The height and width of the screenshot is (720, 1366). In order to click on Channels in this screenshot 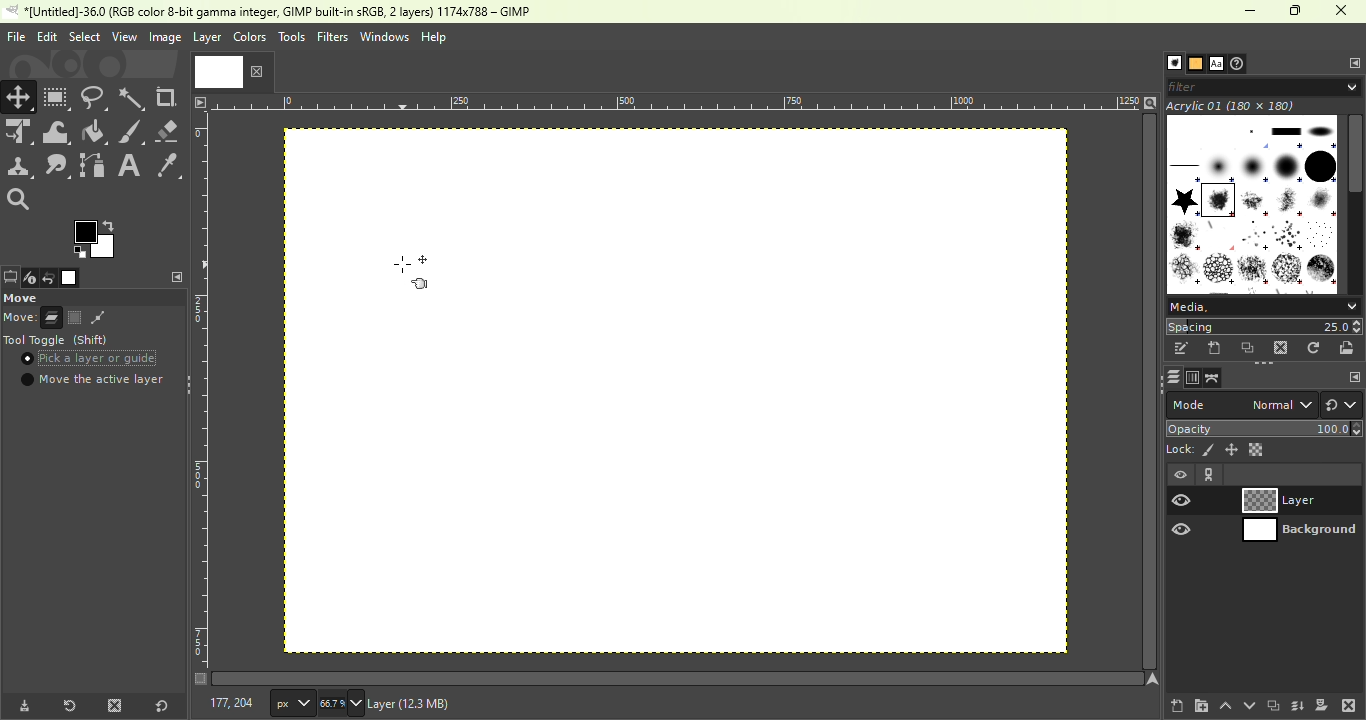, I will do `click(1191, 378)`.